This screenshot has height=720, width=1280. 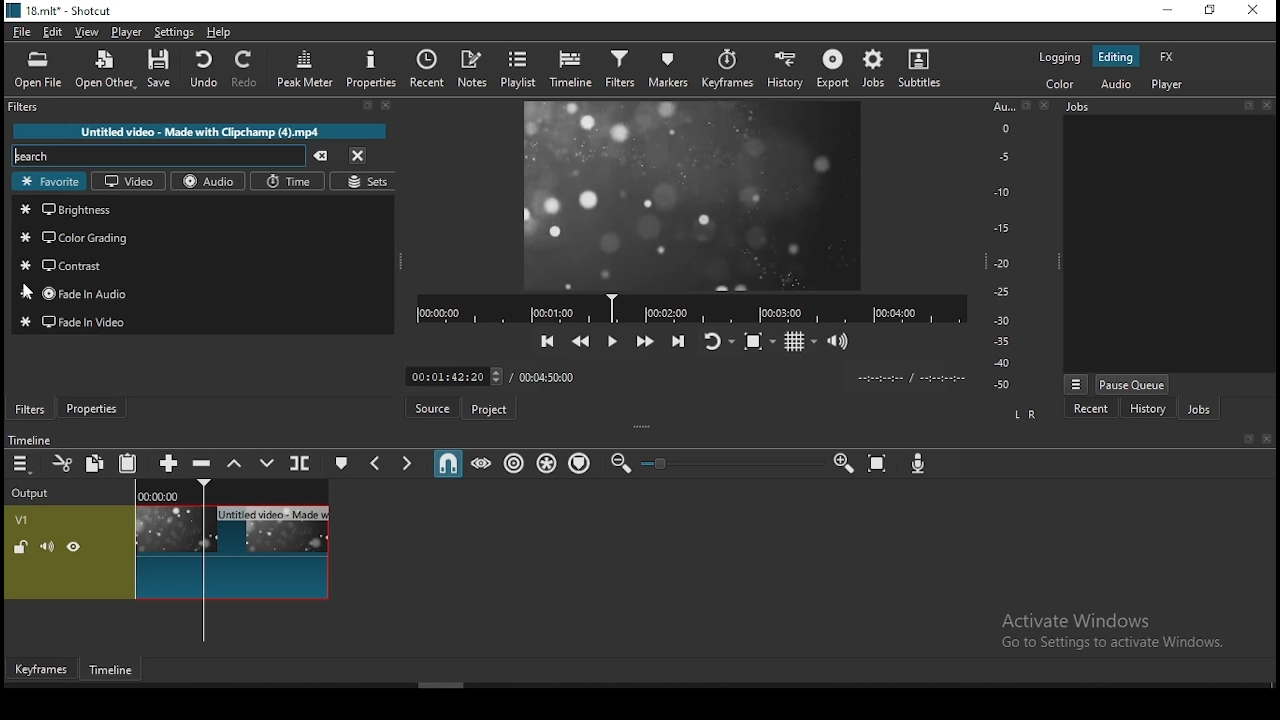 I want to click on restore, so click(x=1212, y=12).